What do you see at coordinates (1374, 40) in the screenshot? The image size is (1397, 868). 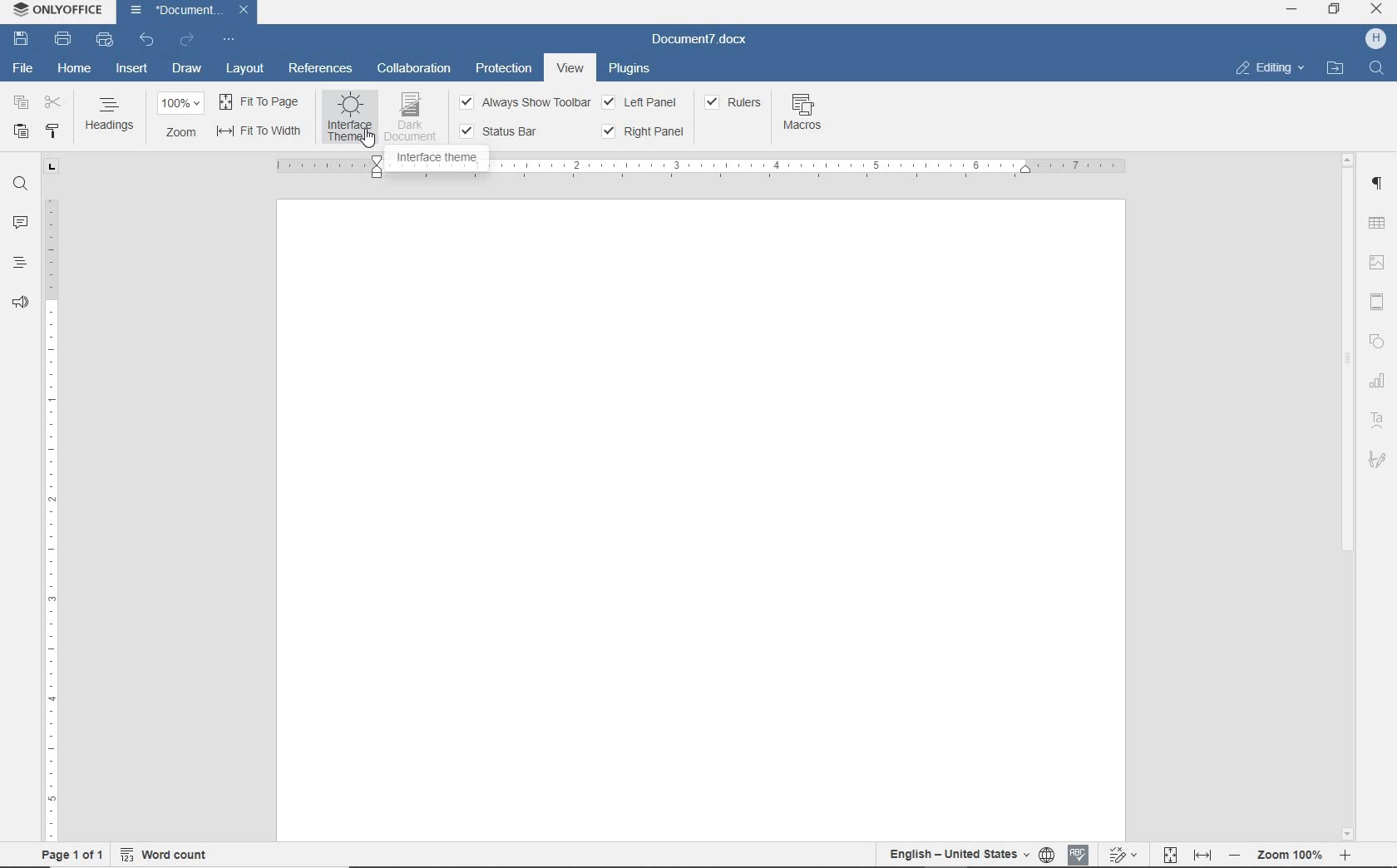 I see `HP` at bounding box center [1374, 40].